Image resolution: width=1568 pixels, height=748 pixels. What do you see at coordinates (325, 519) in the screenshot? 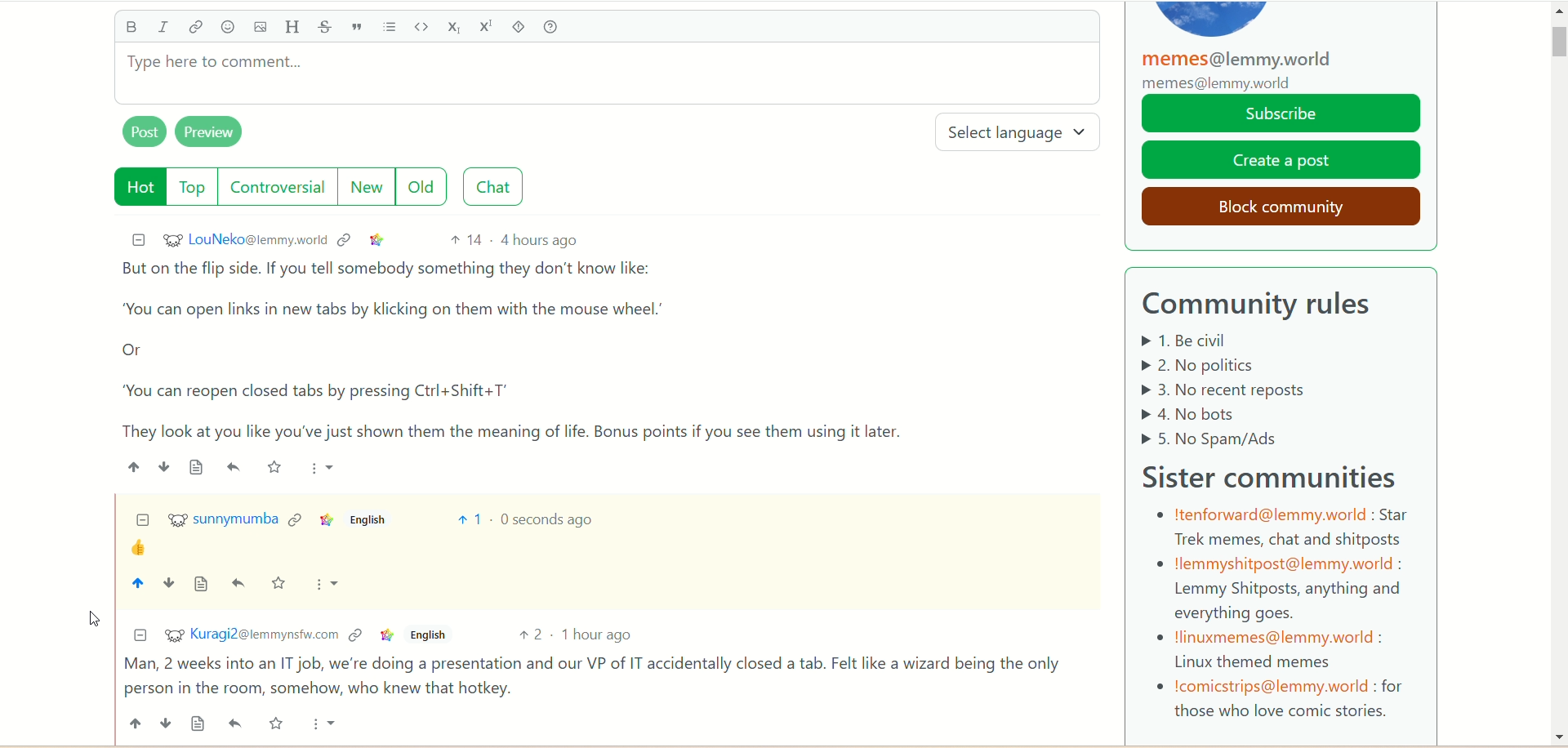
I see `link` at bounding box center [325, 519].